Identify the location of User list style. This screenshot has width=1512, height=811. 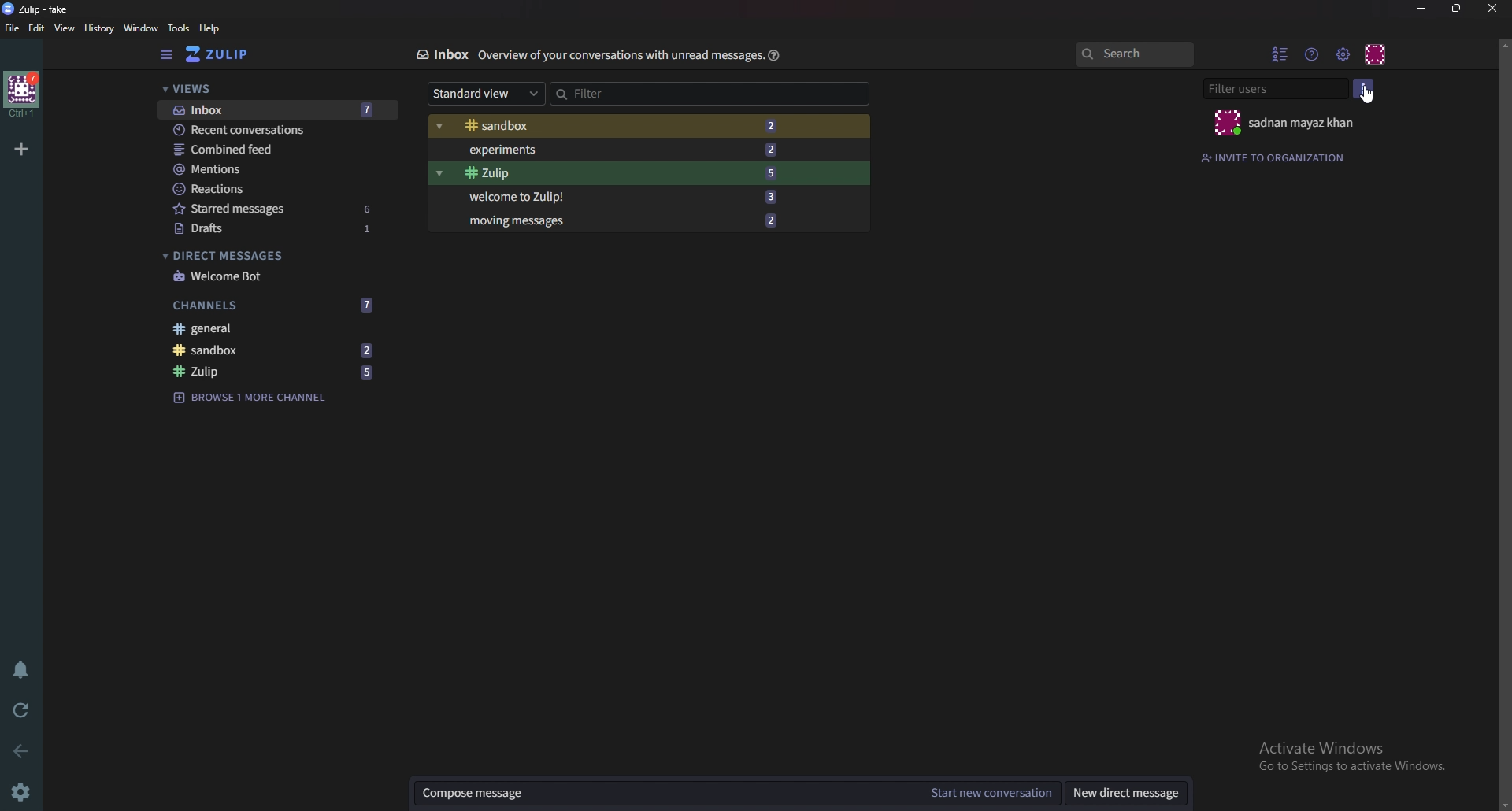
(1365, 89).